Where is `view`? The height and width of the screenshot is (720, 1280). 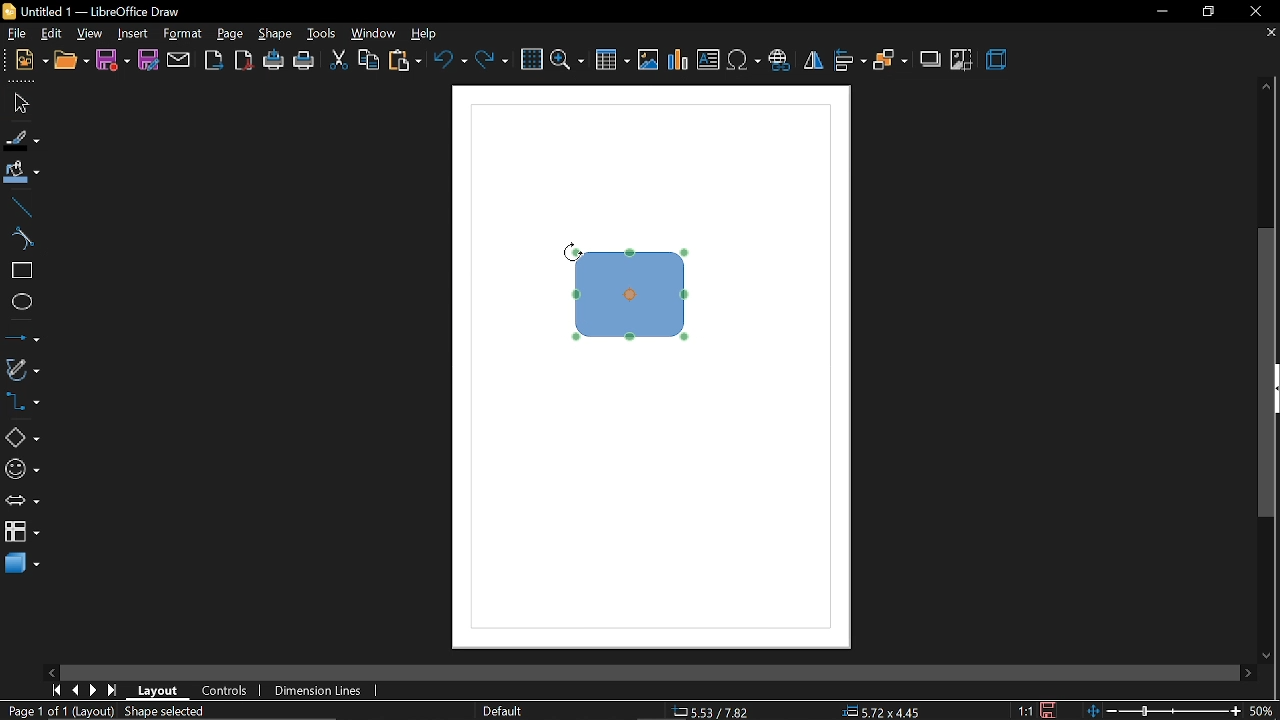 view is located at coordinates (91, 35).